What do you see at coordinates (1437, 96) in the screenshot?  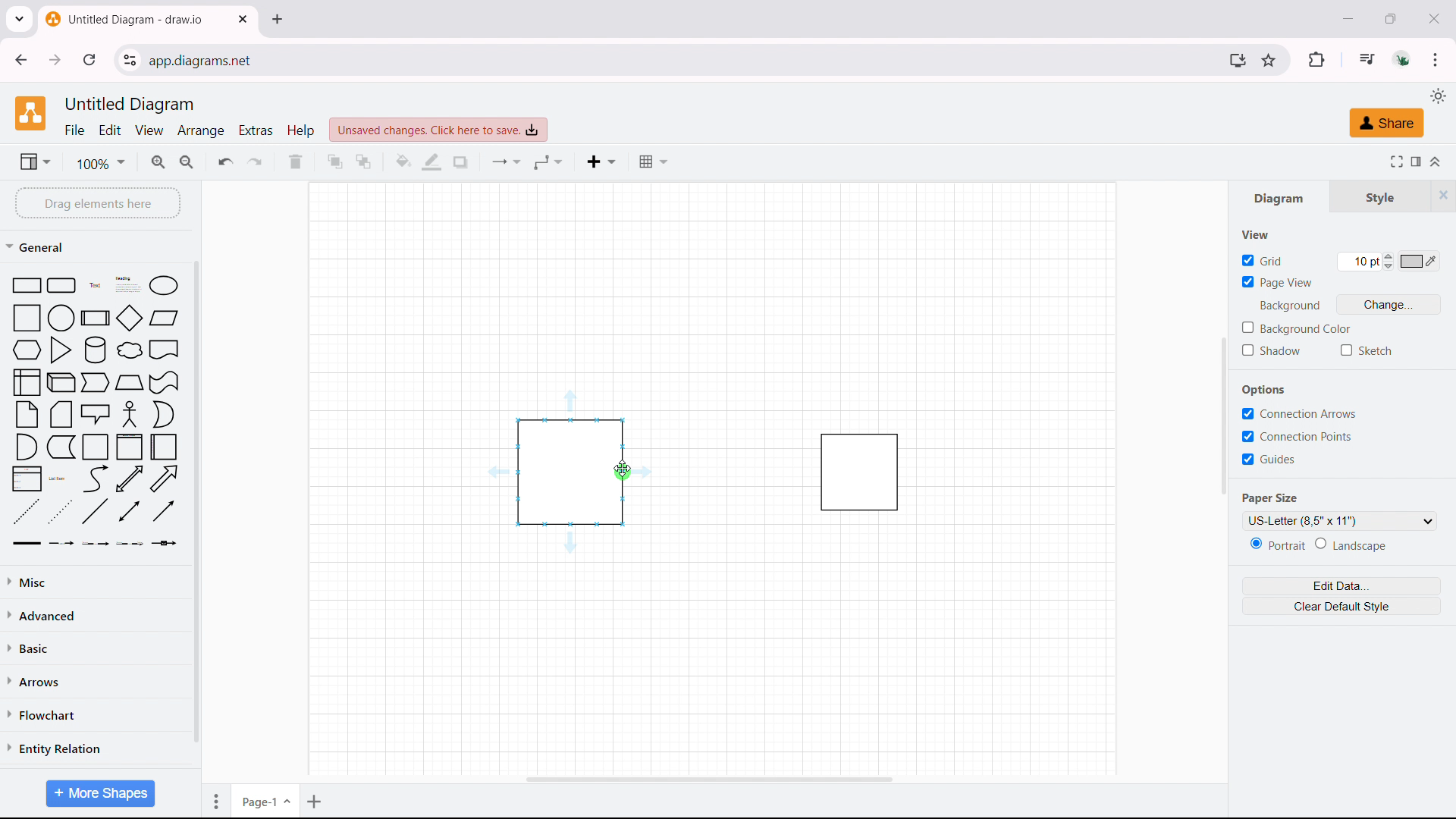 I see `select theme` at bounding box center [1437, 96].